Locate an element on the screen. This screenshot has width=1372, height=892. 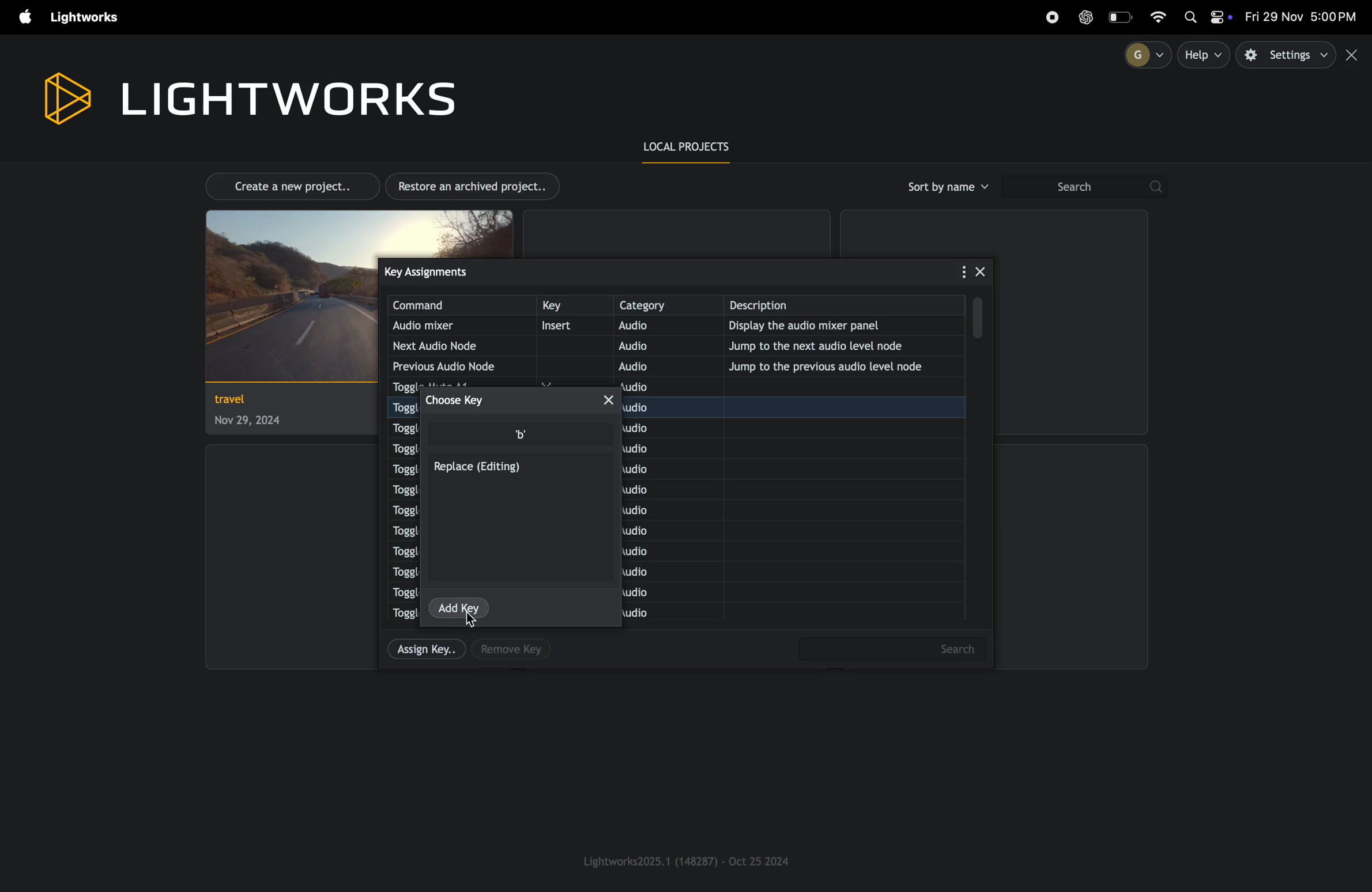
apple widgets is located at coordinates (1207, 18).